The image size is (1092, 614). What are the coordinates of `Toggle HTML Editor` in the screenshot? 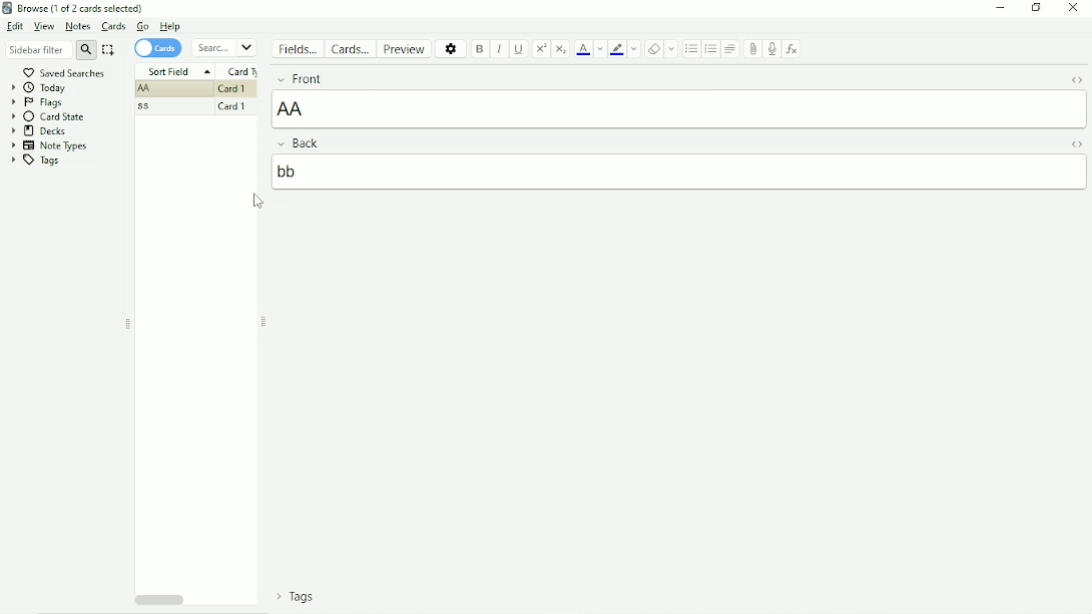 It's located at (1077, 143).